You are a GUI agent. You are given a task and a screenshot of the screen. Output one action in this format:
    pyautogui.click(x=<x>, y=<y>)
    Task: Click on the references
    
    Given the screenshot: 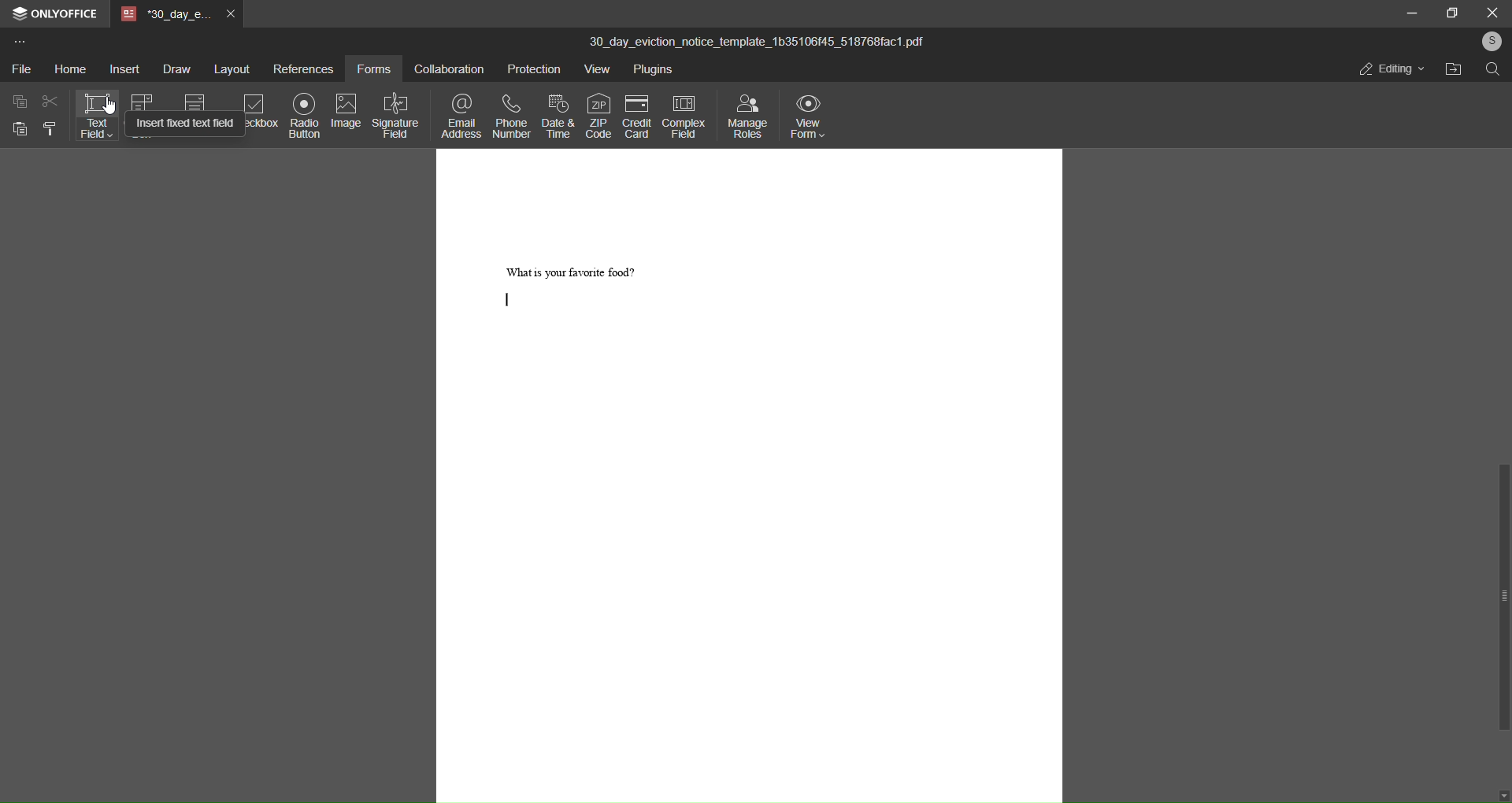 What is the action you would take?
    pyautogui.click(x=301, y=69)
    